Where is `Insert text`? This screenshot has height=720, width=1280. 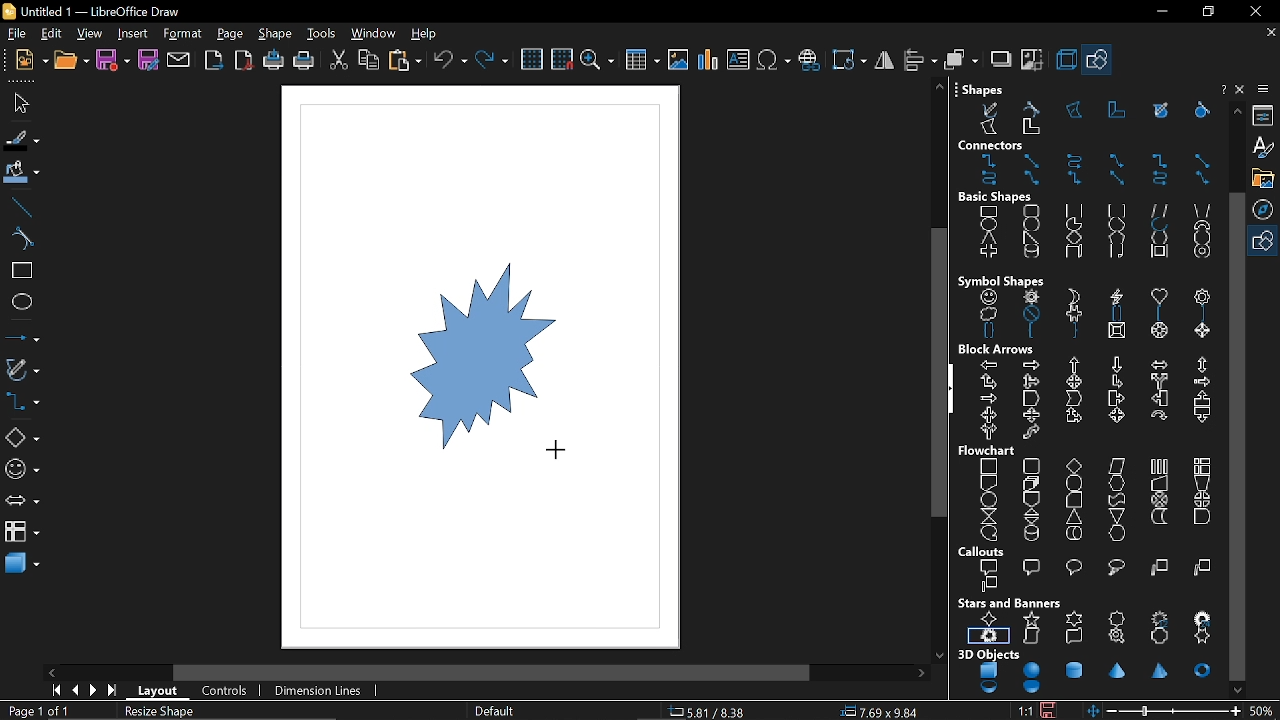 Insert text is located at coordinates (738, 61).